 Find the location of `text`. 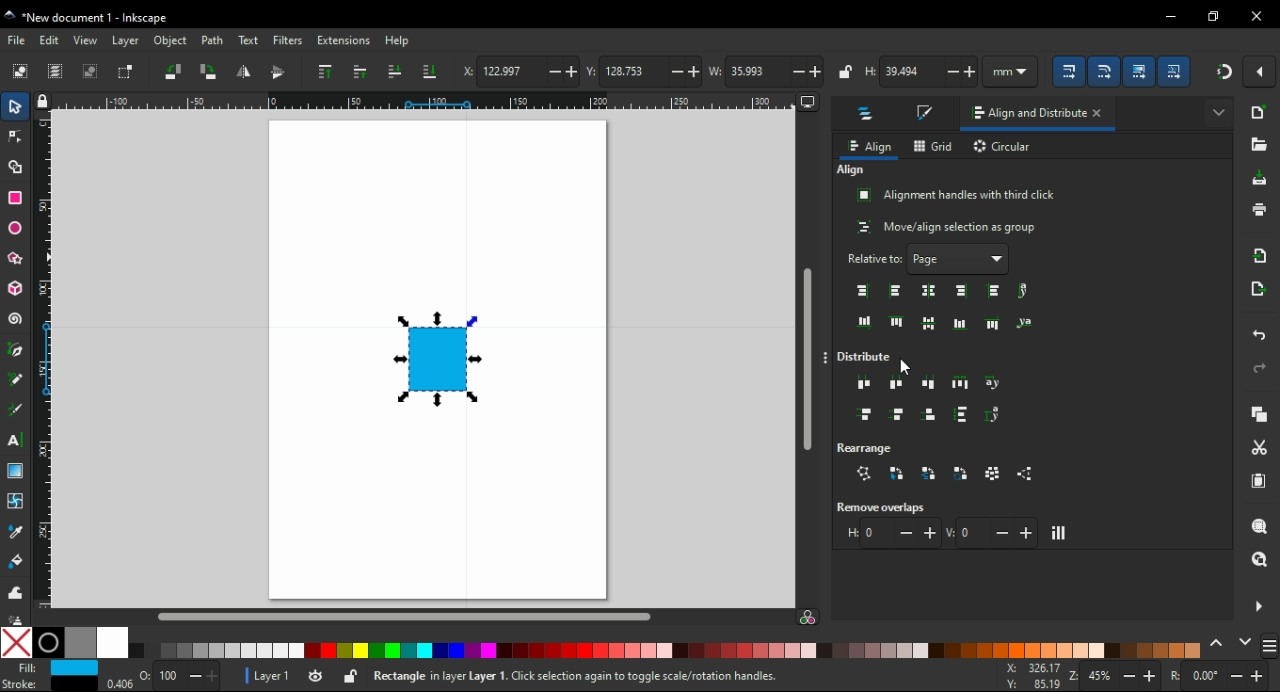

text is located at coordinates (247, 41).